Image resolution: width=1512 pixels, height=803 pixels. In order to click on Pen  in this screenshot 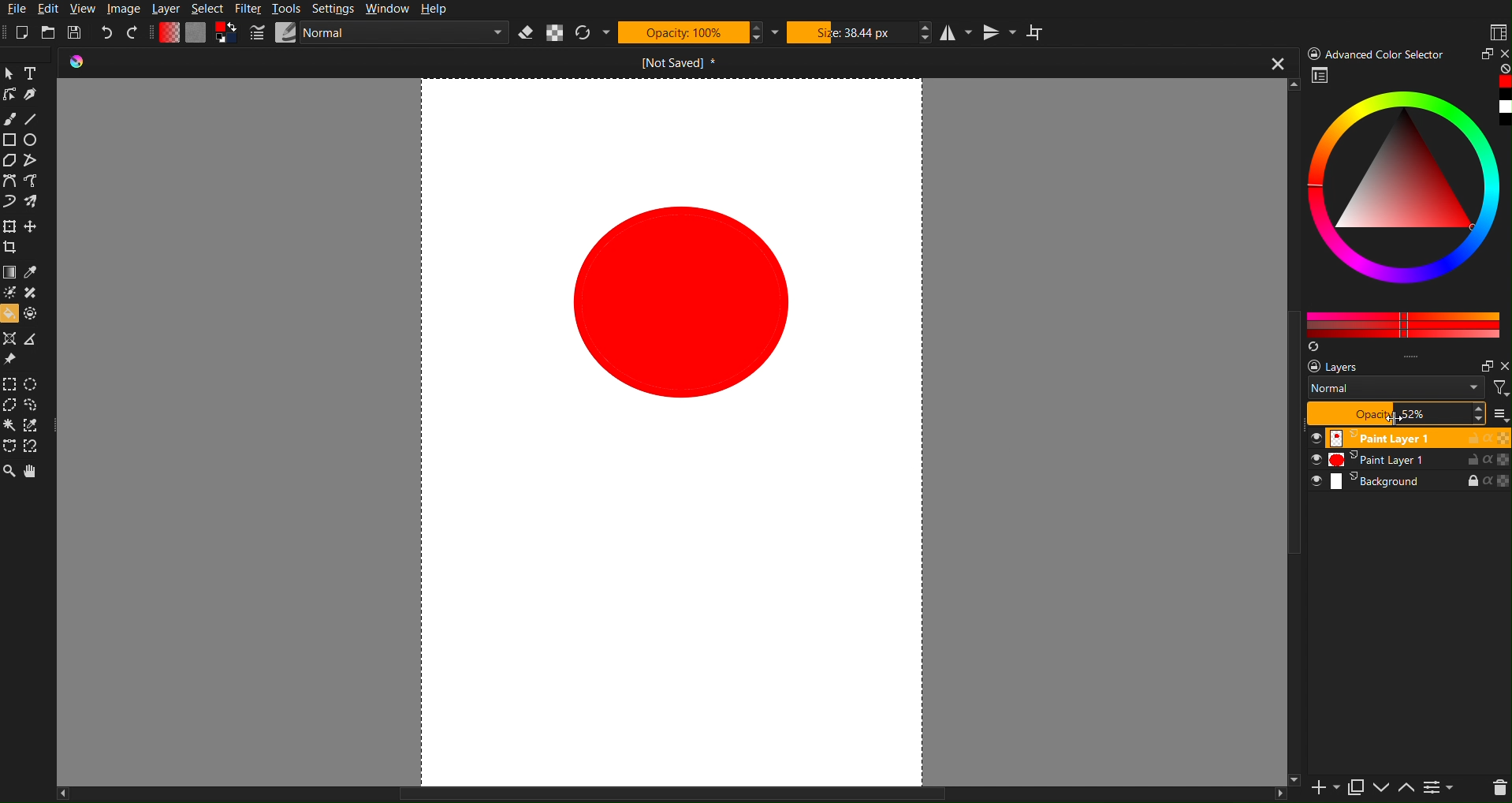, I will do `click(35, 96)`.